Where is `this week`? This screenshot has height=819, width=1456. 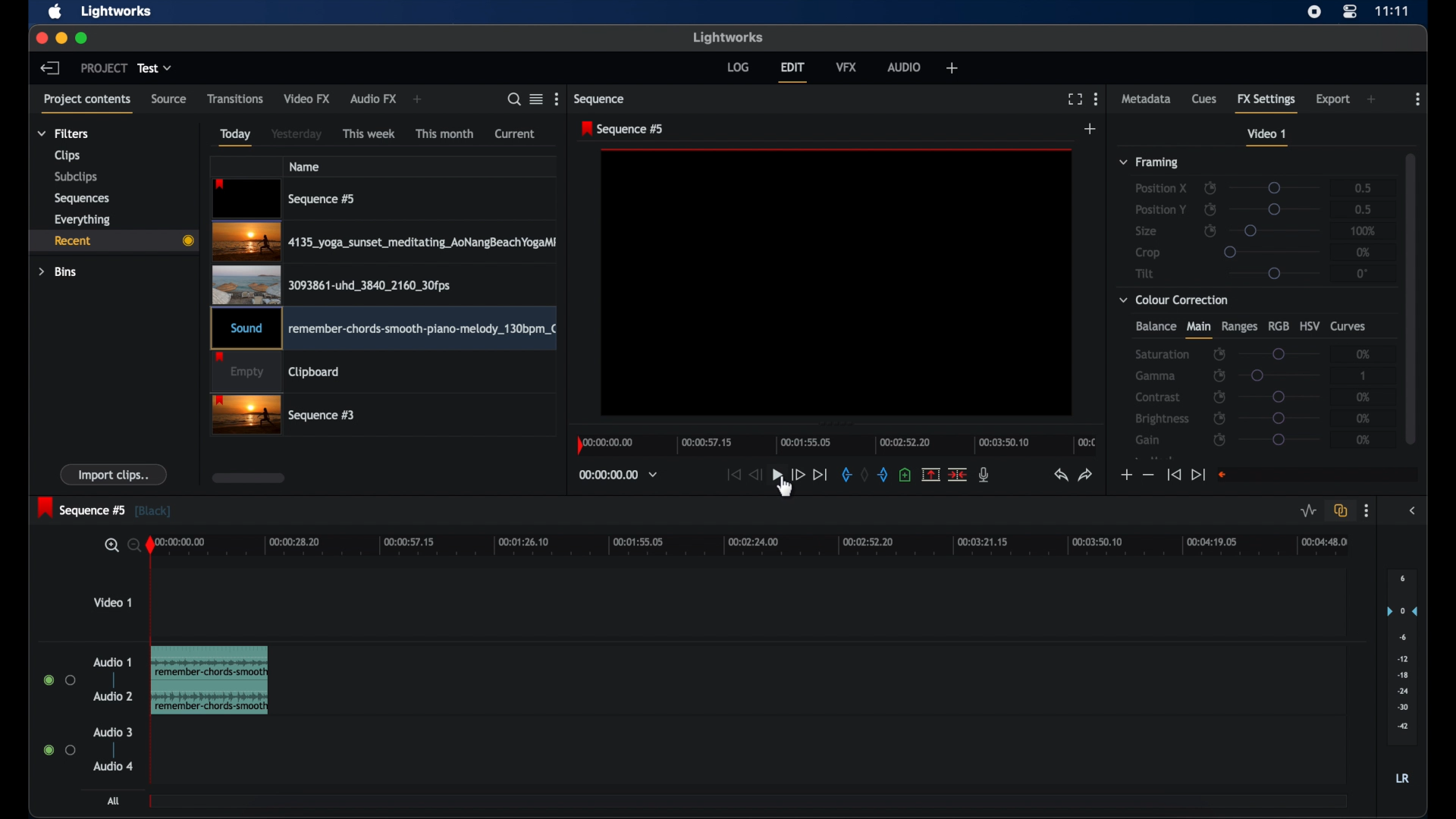
this week is located at coordinates (369, 134).